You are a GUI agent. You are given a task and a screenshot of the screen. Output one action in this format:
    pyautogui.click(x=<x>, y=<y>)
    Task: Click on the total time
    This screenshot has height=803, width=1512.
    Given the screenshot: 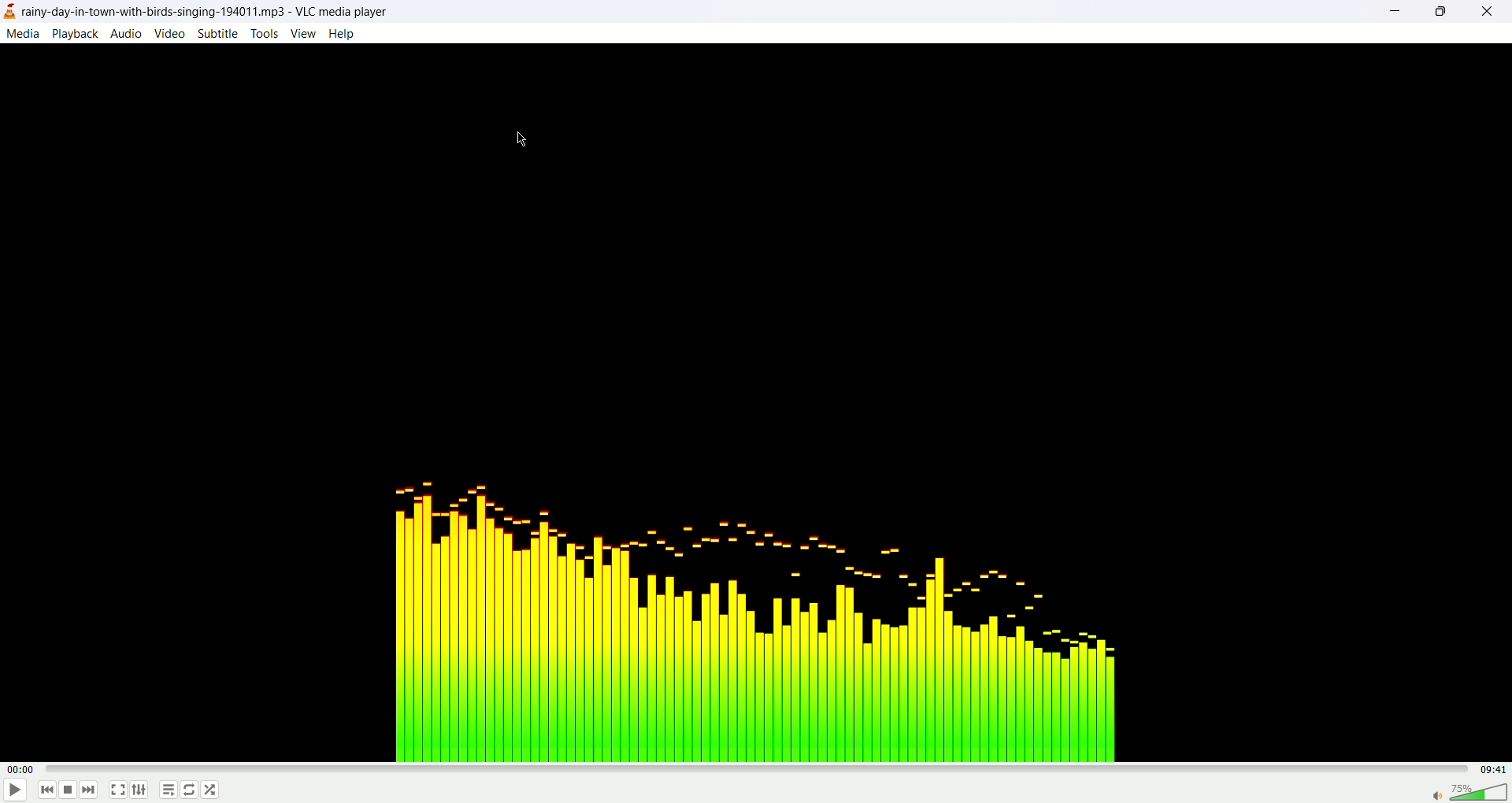 What is the action you would take?
    pyautogui.click(x=1494, y=768)
    